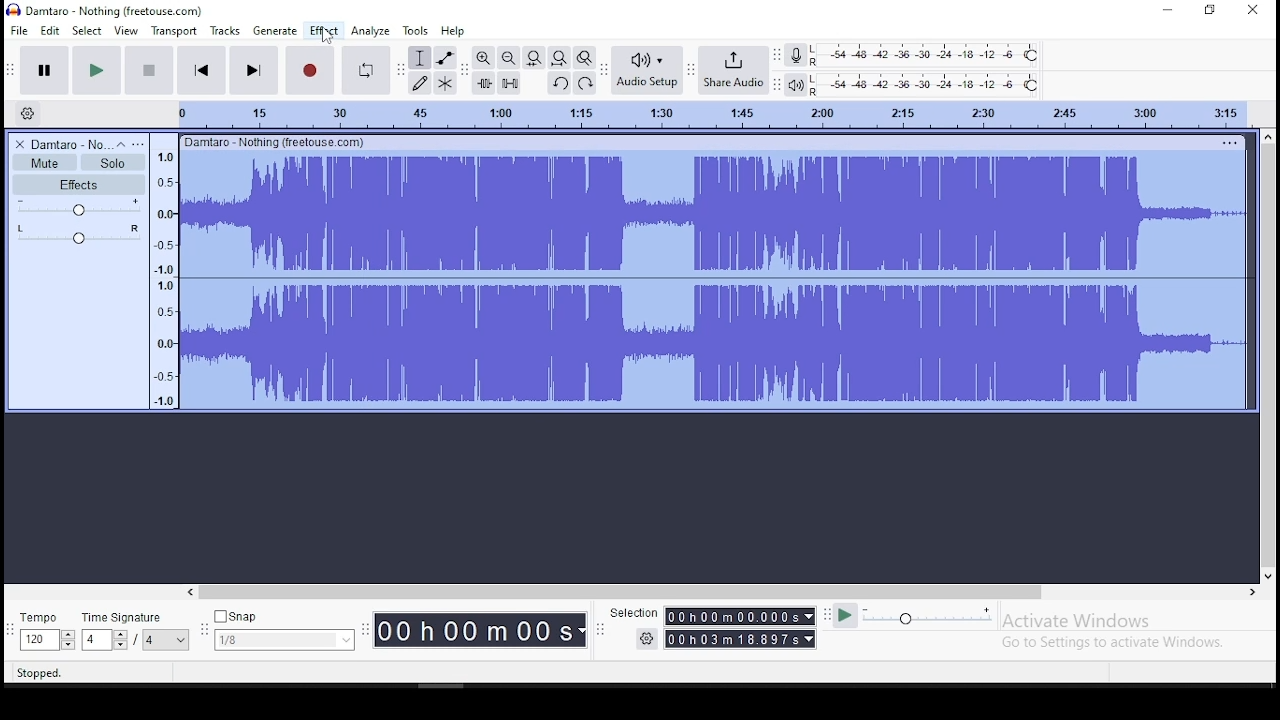  I want to click on fit project to width, so click(559, 58).